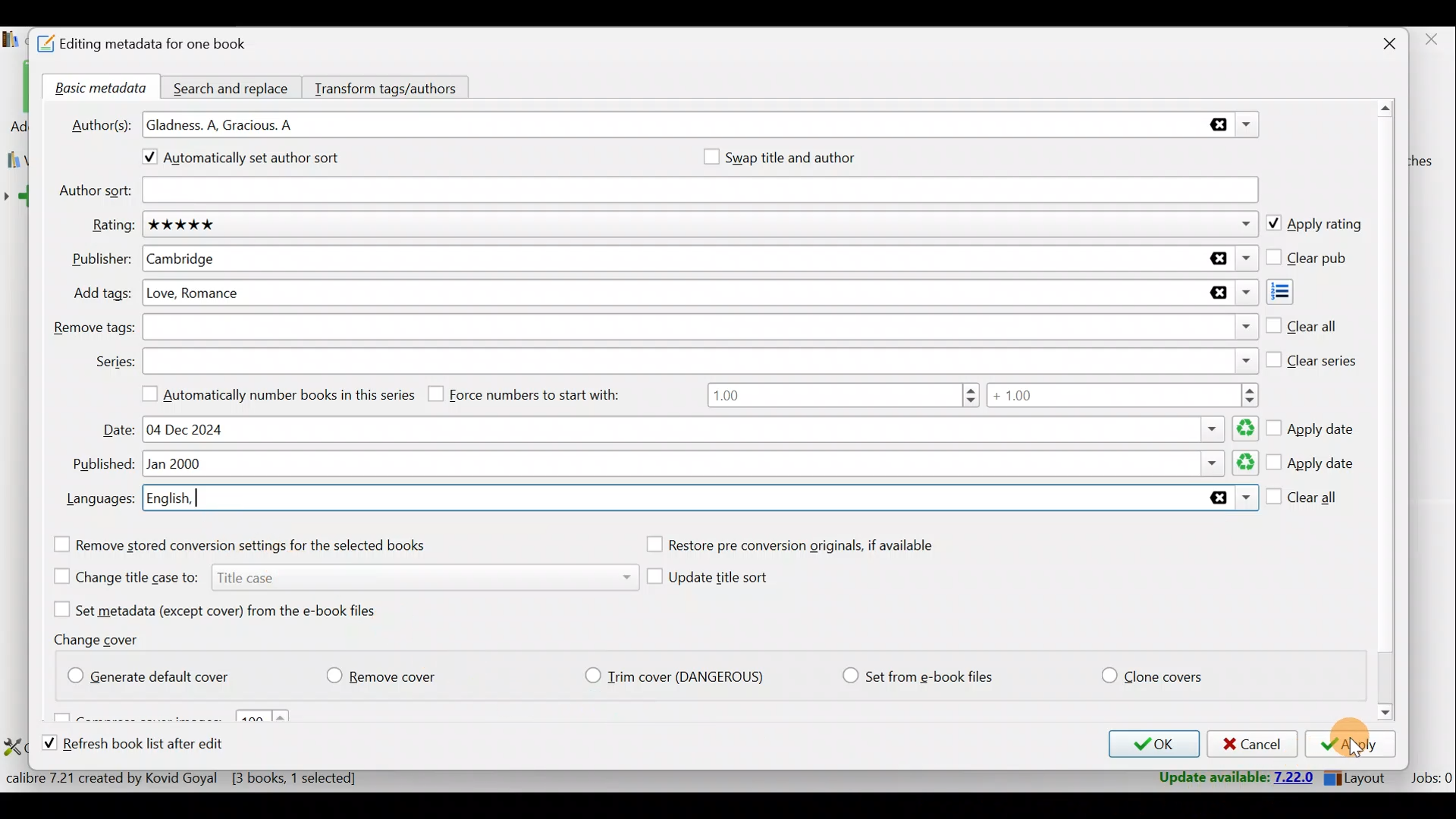 The width and height of the screenshot is (1456, 819). What do you see at coordinates (102, 639) in the screenshot?
I see `Change cover` at bounding box center [102, 639].